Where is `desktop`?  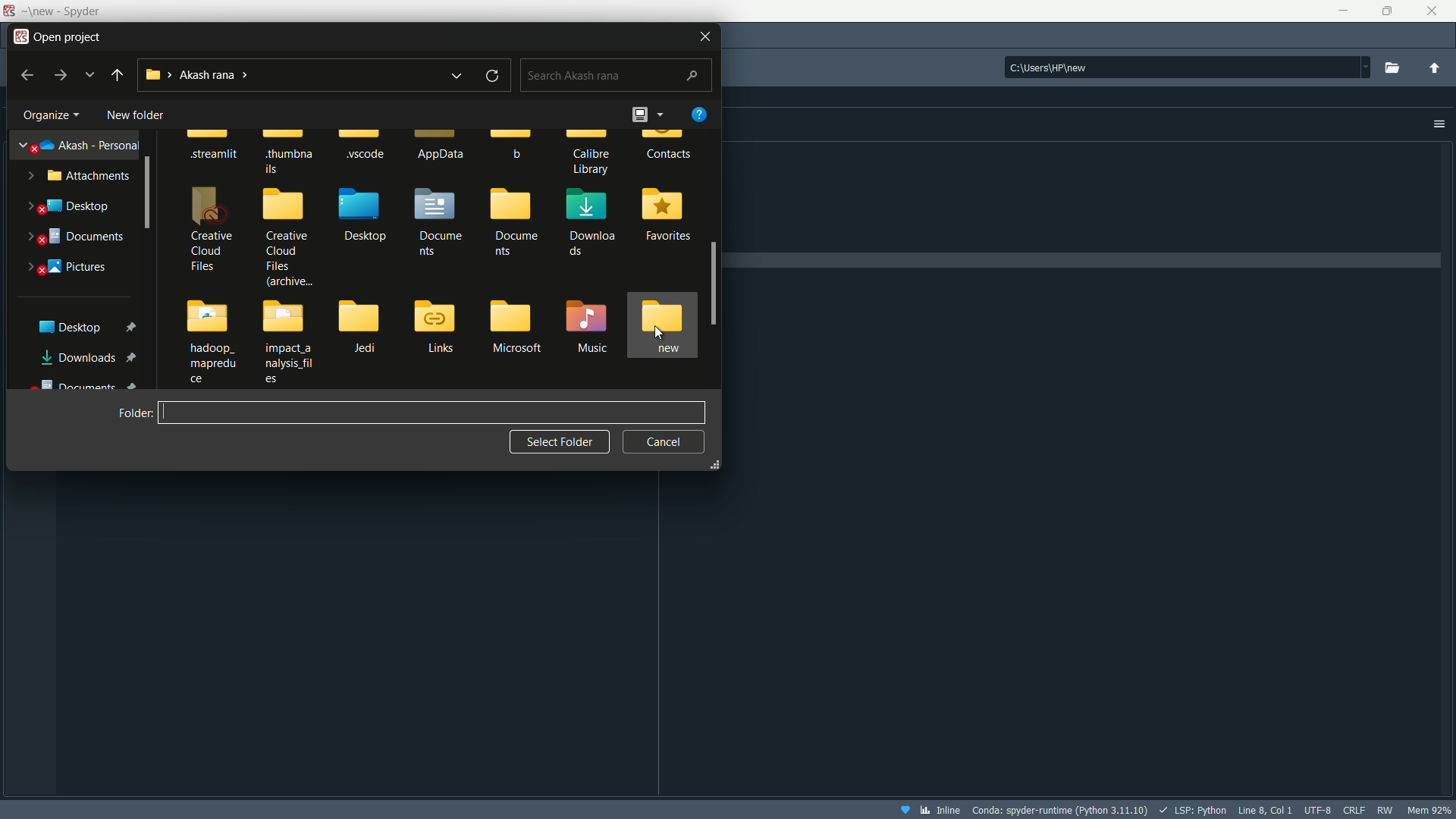 desktop is located at coordinates (70, 208).